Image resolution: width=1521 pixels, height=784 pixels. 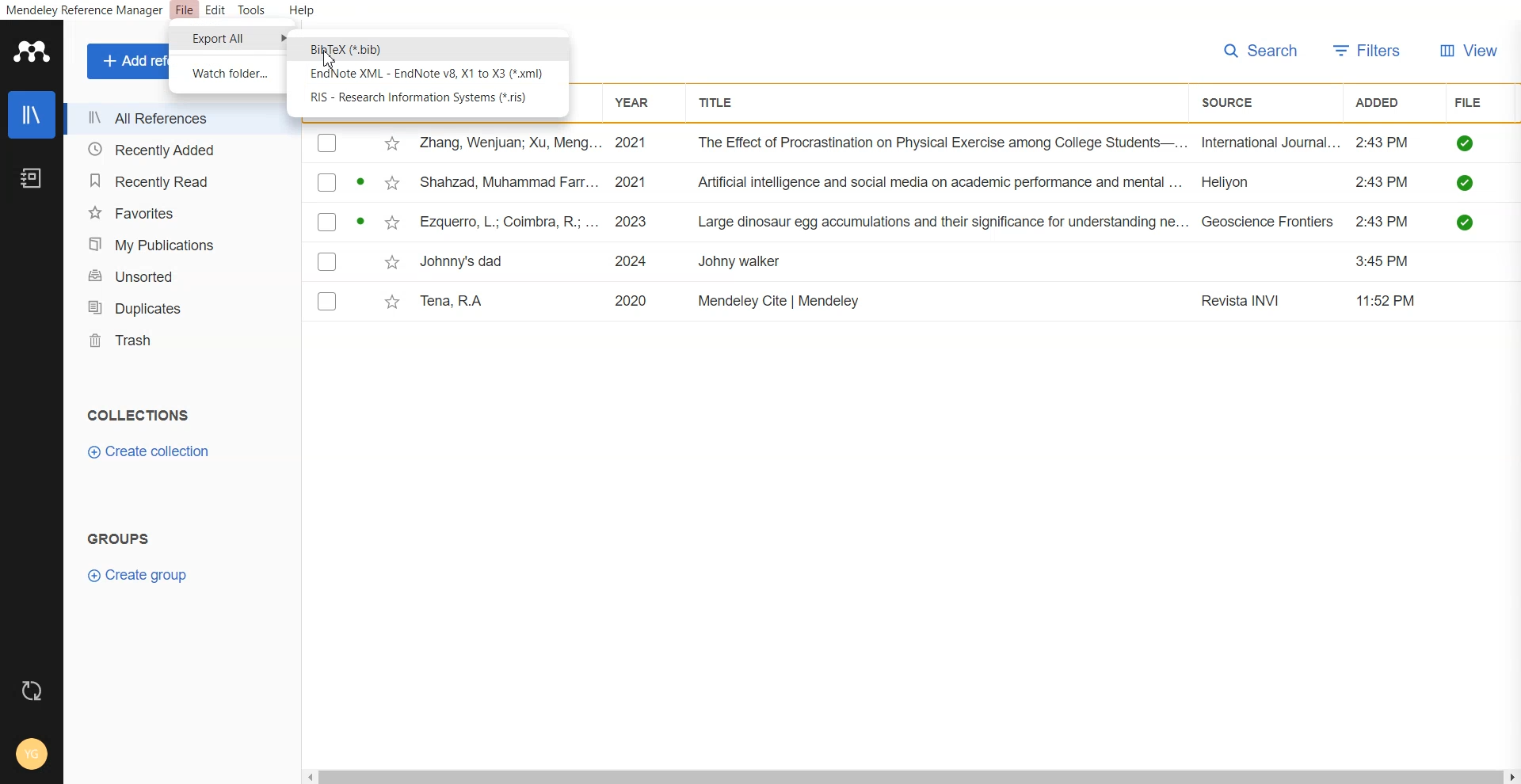 What do you see at coordinates (328, 143) in the screenshot?
I see `checkbox` at bounding box center [328, 143].